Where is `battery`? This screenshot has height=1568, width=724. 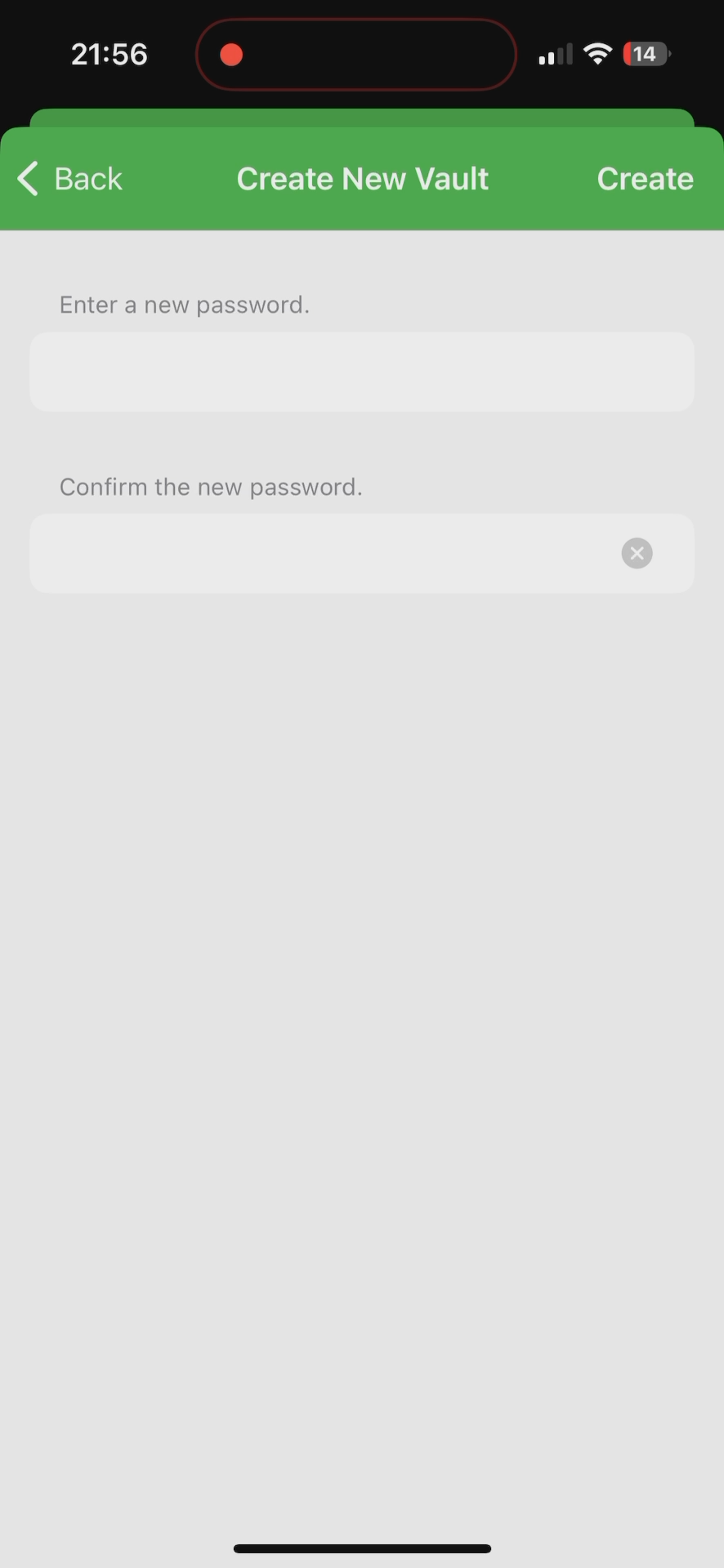
battery is located at coordinates (646, 56).